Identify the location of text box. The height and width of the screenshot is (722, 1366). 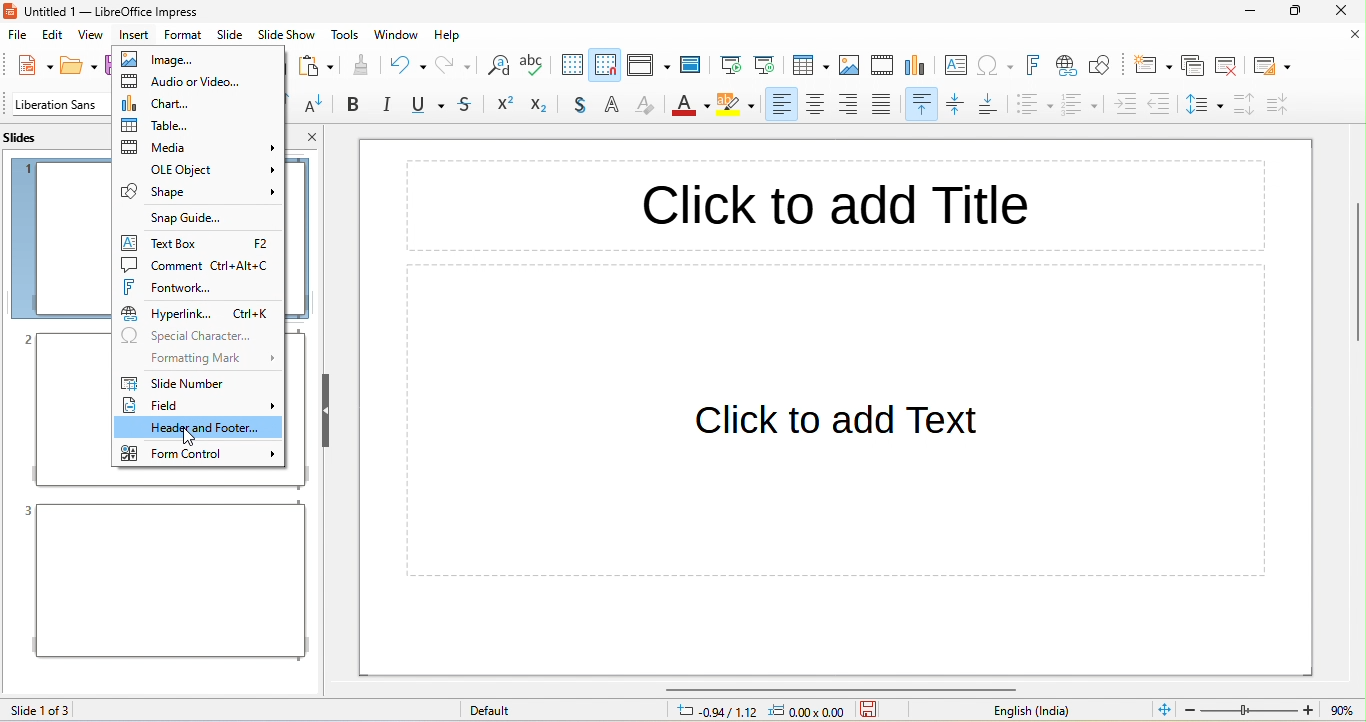
(955, 66).